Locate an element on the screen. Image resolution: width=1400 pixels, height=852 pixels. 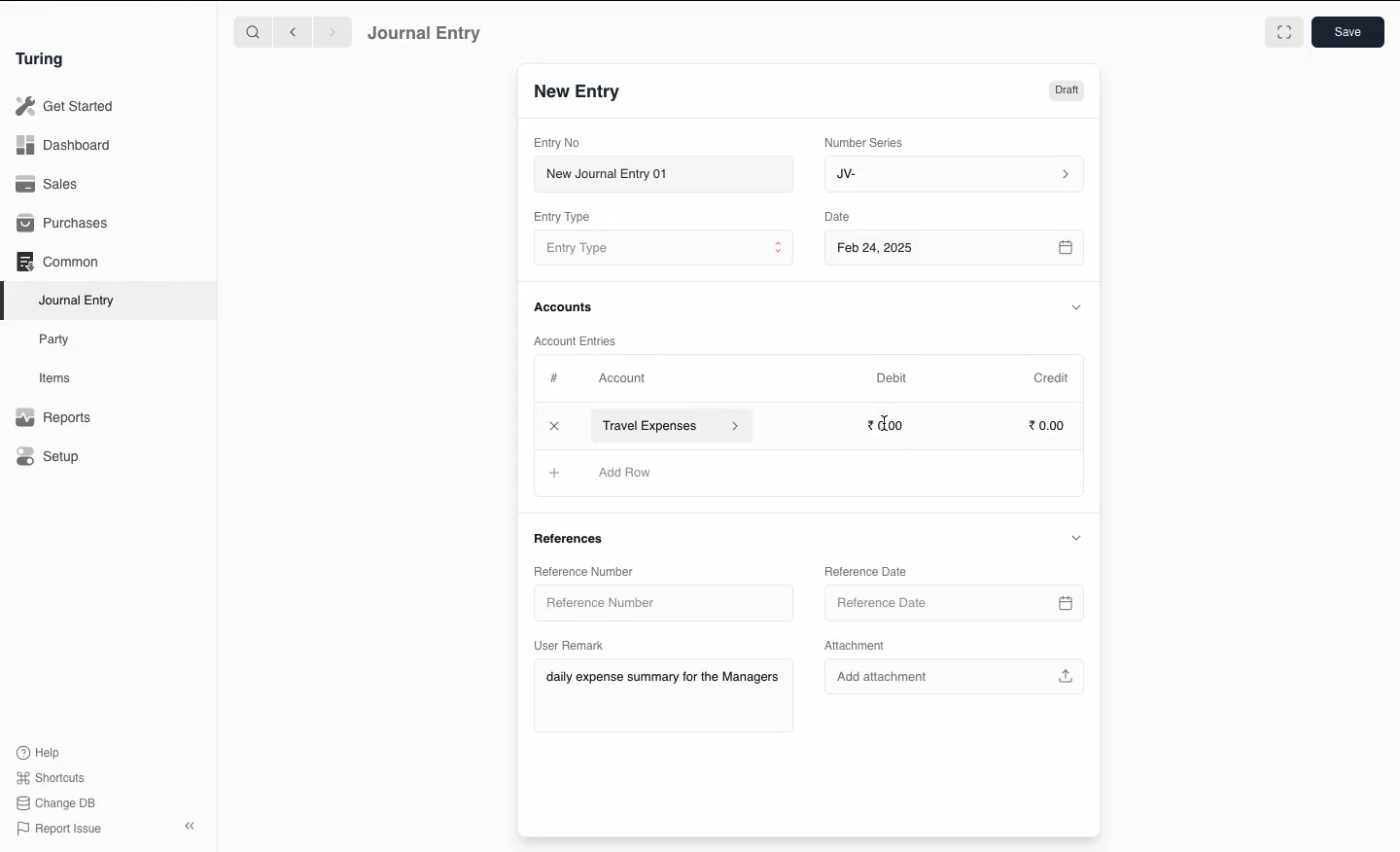
Feb 24, 2025 is located at coordinates (957, 250).